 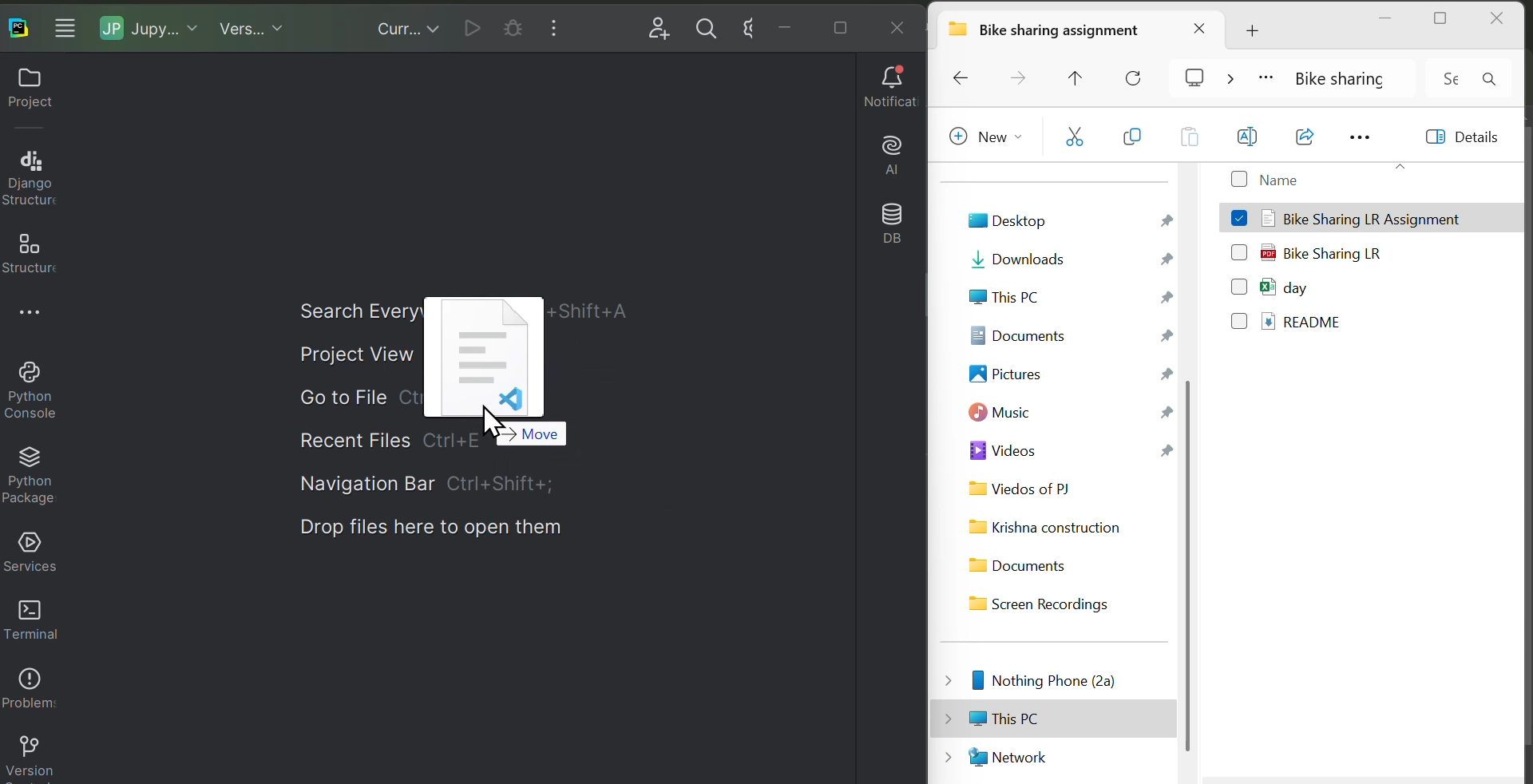 What do you see at coordinates (1474, 133) in the screenshot?
I see `Details` at bounding box center [1474, 133].